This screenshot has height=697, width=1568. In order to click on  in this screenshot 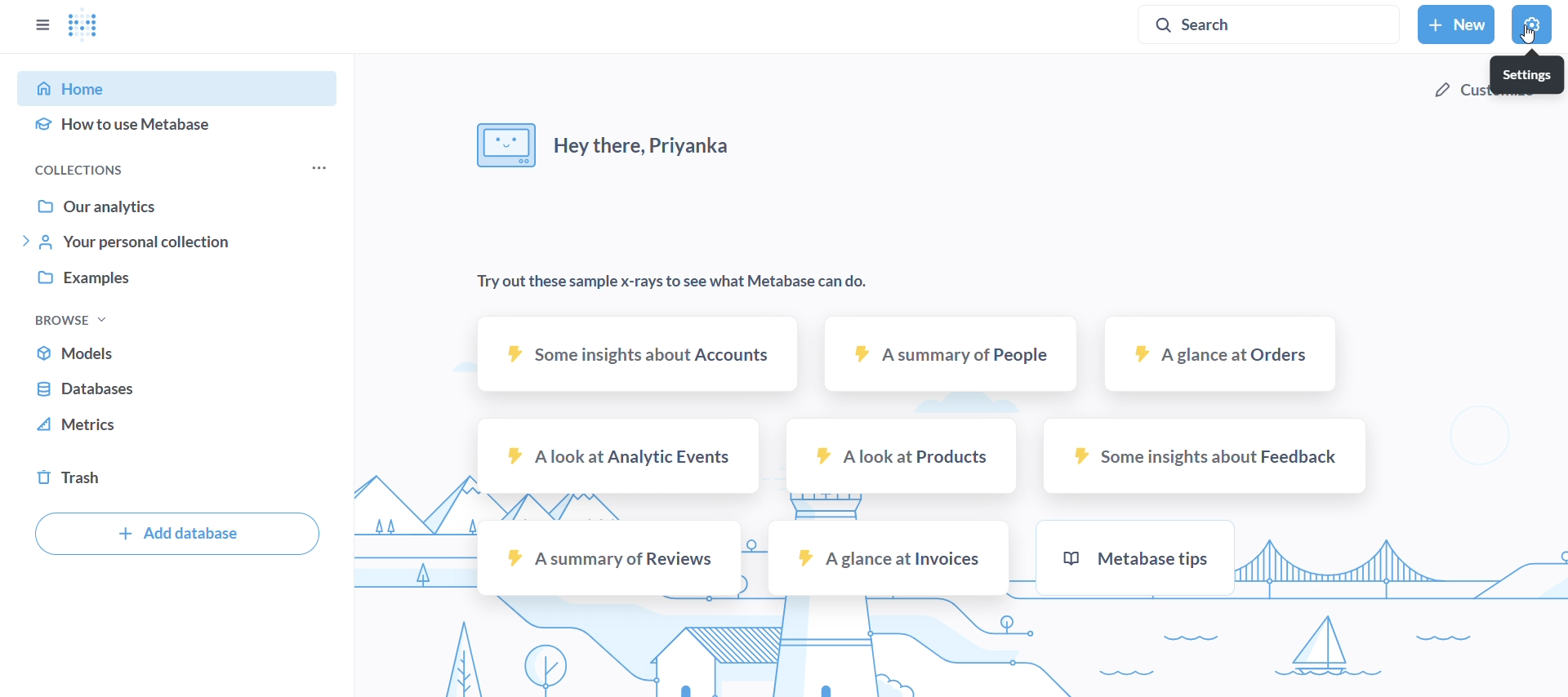, I will do `click(1456, 24)`.